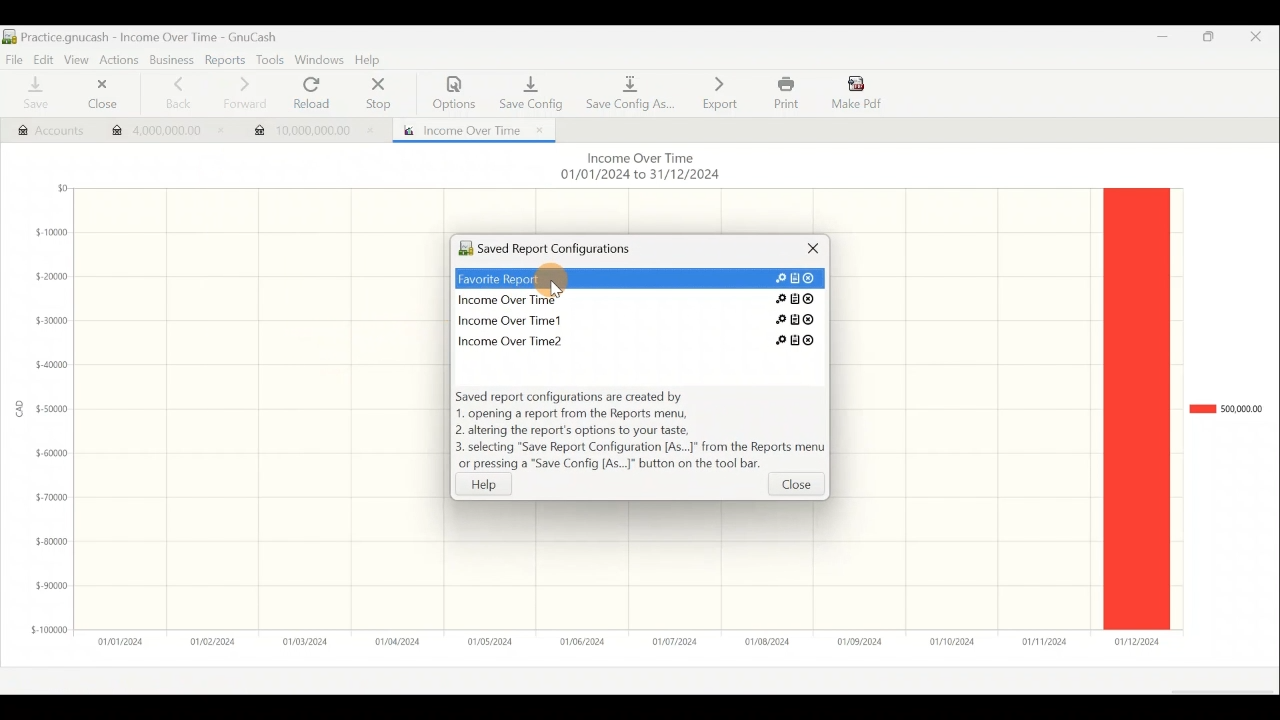  I want to click on Saved report configurations, so click(605, 251).